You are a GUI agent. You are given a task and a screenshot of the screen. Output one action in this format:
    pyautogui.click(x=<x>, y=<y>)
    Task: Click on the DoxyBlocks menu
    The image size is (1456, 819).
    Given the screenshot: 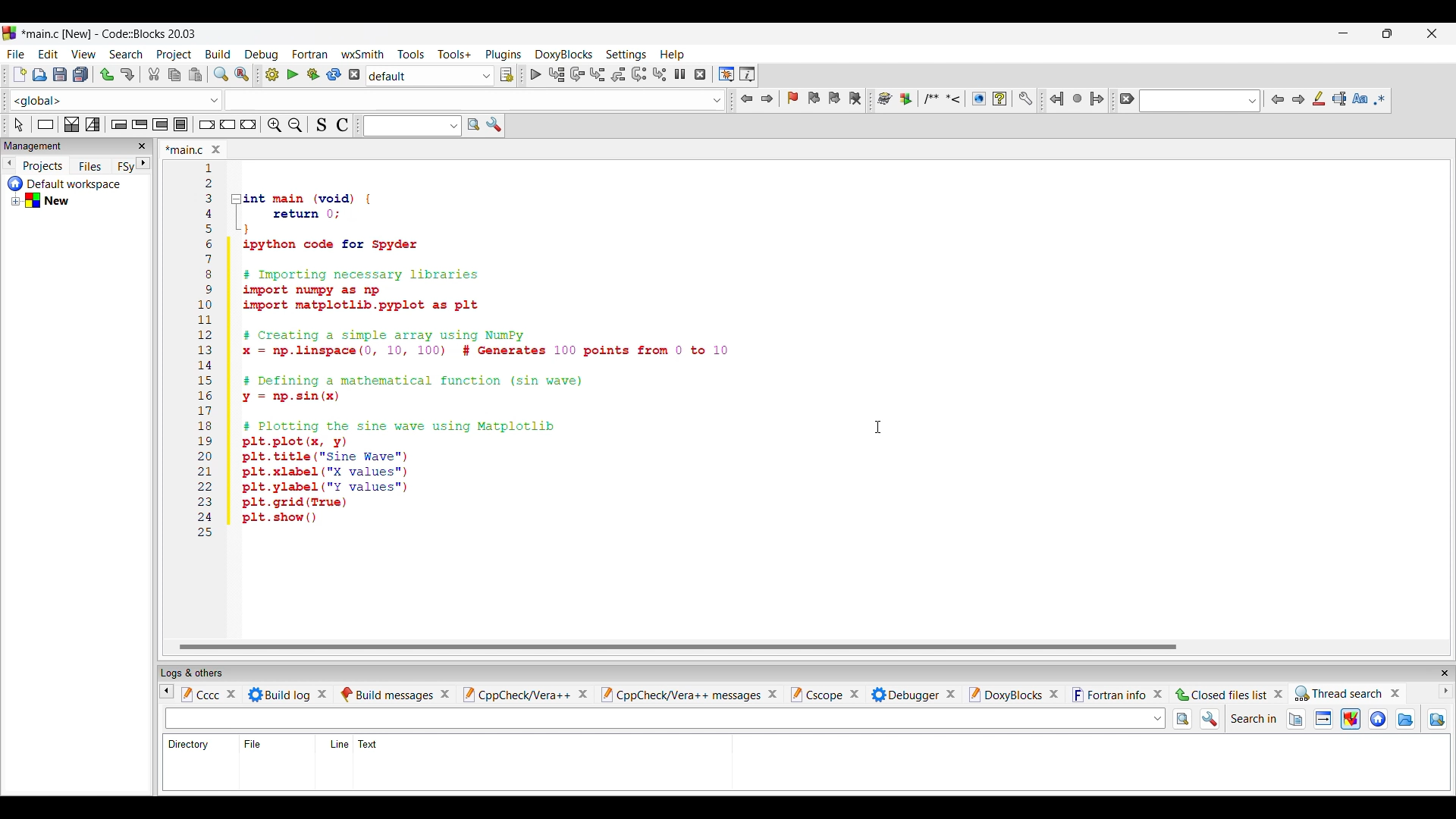 What is the action you would take?
    pyautogui.click(x=564, y=55)
    